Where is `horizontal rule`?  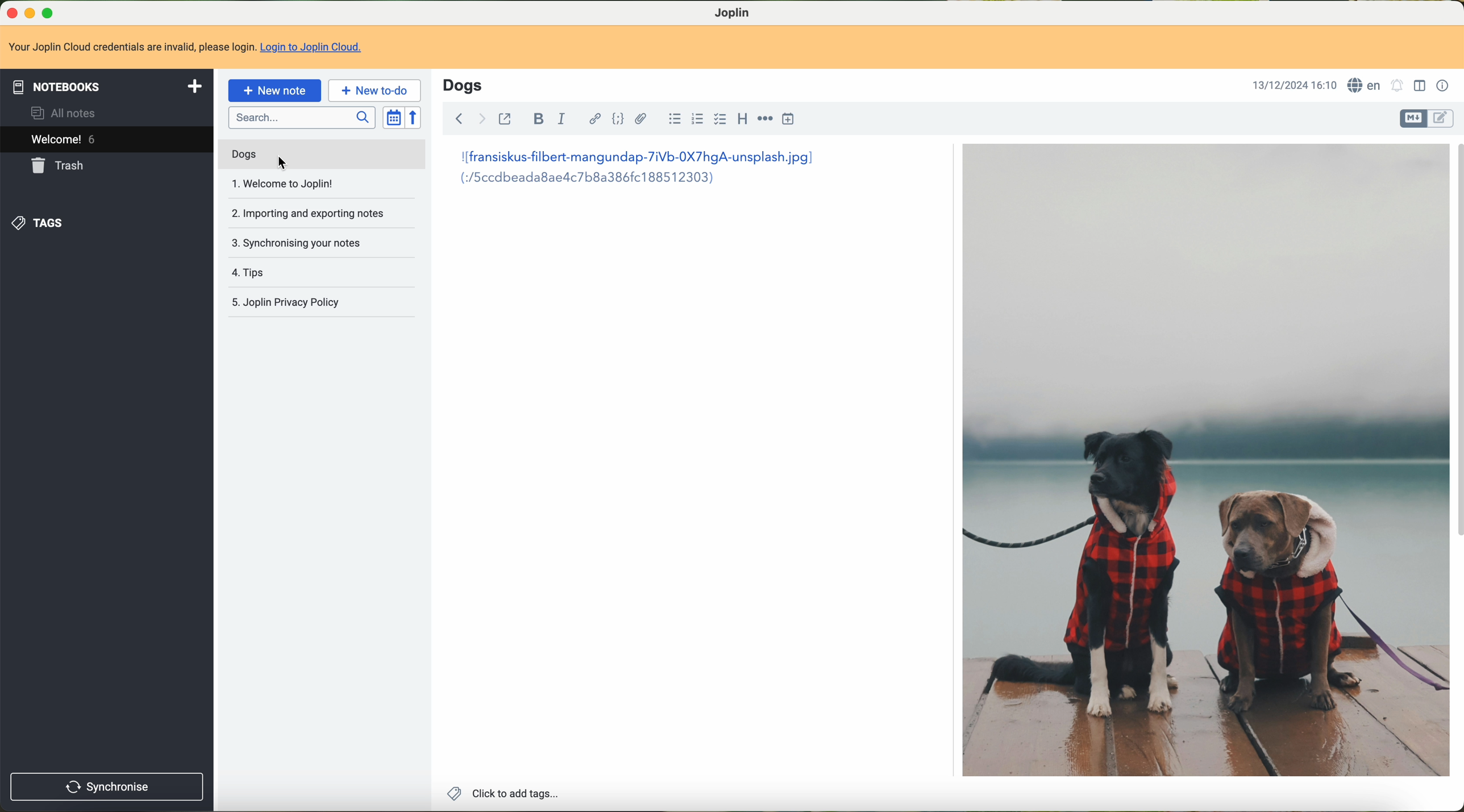 horizontal rule is located at coordinates (764, 121).